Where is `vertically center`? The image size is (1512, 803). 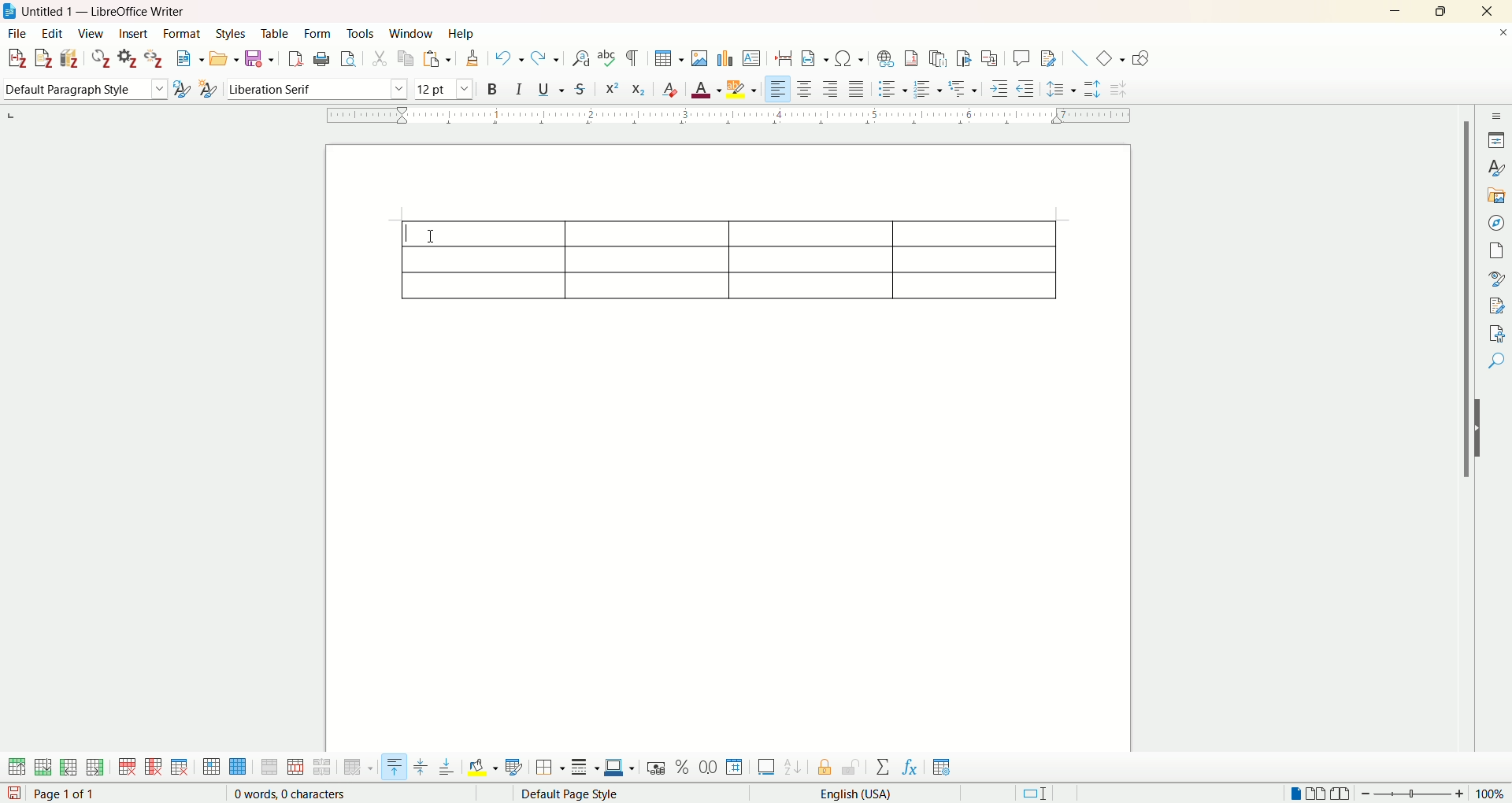 vertically center is located at coordinates (424, 767).